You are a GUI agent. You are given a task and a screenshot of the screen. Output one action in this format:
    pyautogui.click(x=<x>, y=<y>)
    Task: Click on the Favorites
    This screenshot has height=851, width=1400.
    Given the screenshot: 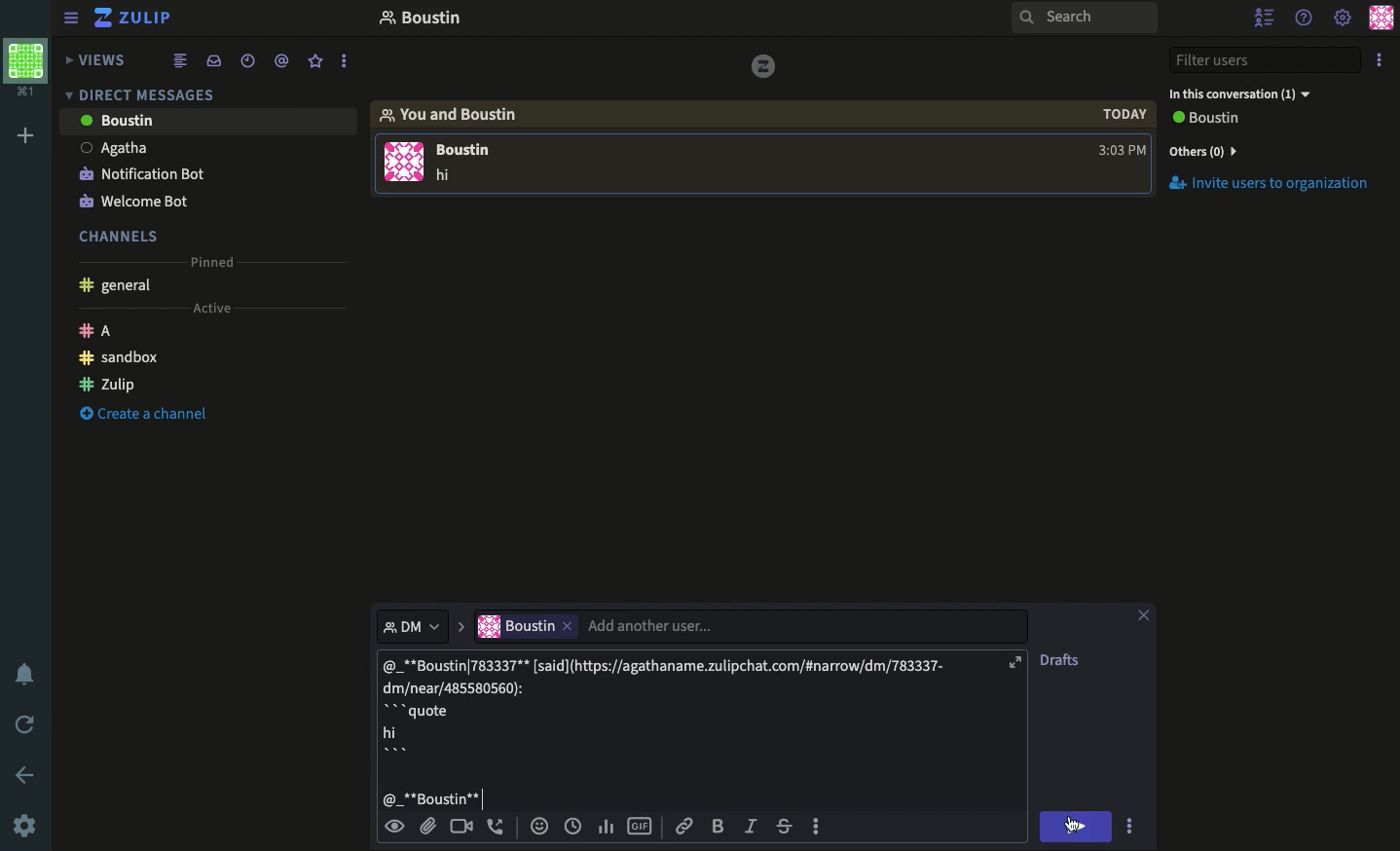 What is the action you would take?
    pyautogui.click(x=316, y=61)
    